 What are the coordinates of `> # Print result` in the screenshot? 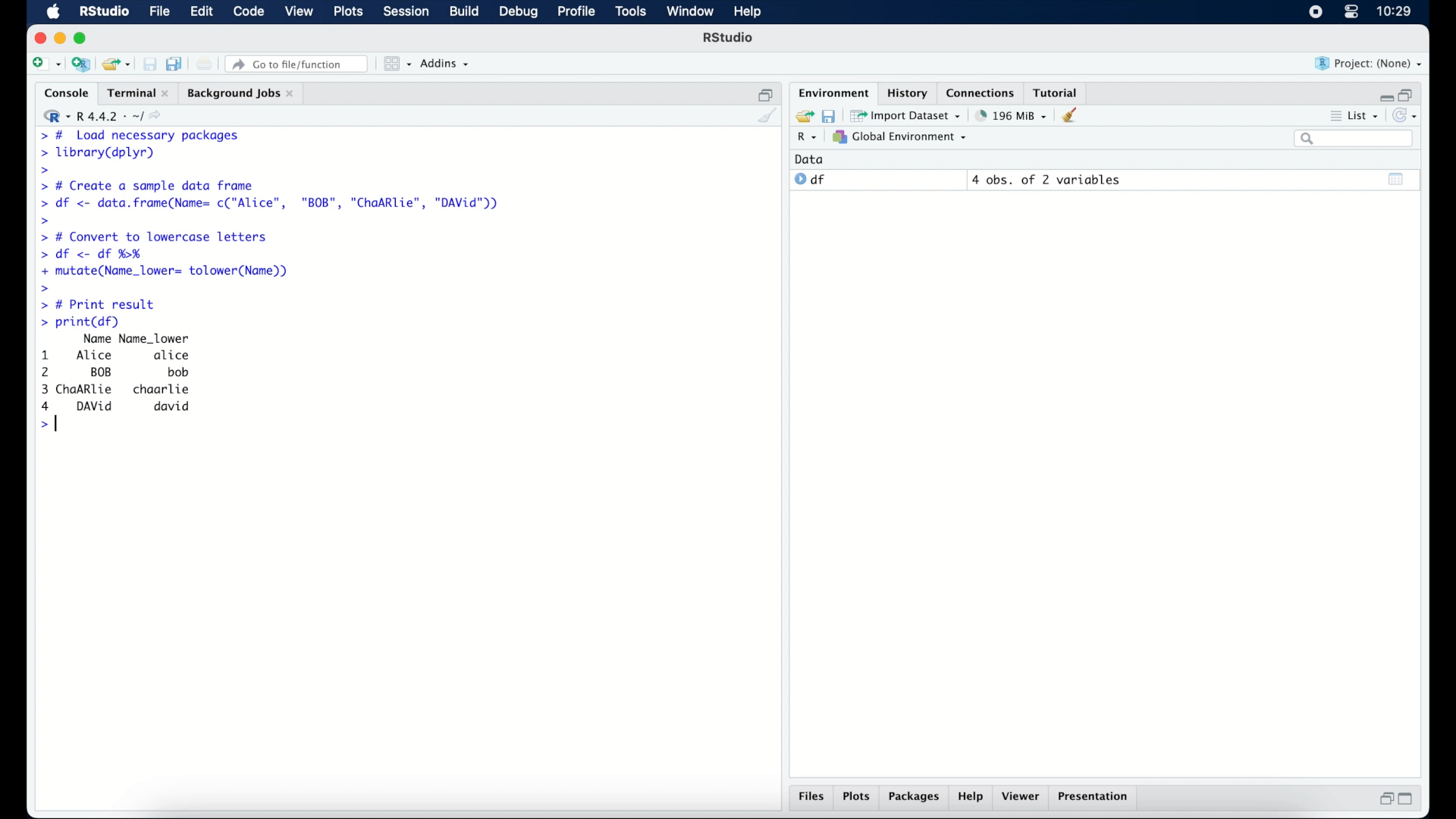 It's located at (101, 305).